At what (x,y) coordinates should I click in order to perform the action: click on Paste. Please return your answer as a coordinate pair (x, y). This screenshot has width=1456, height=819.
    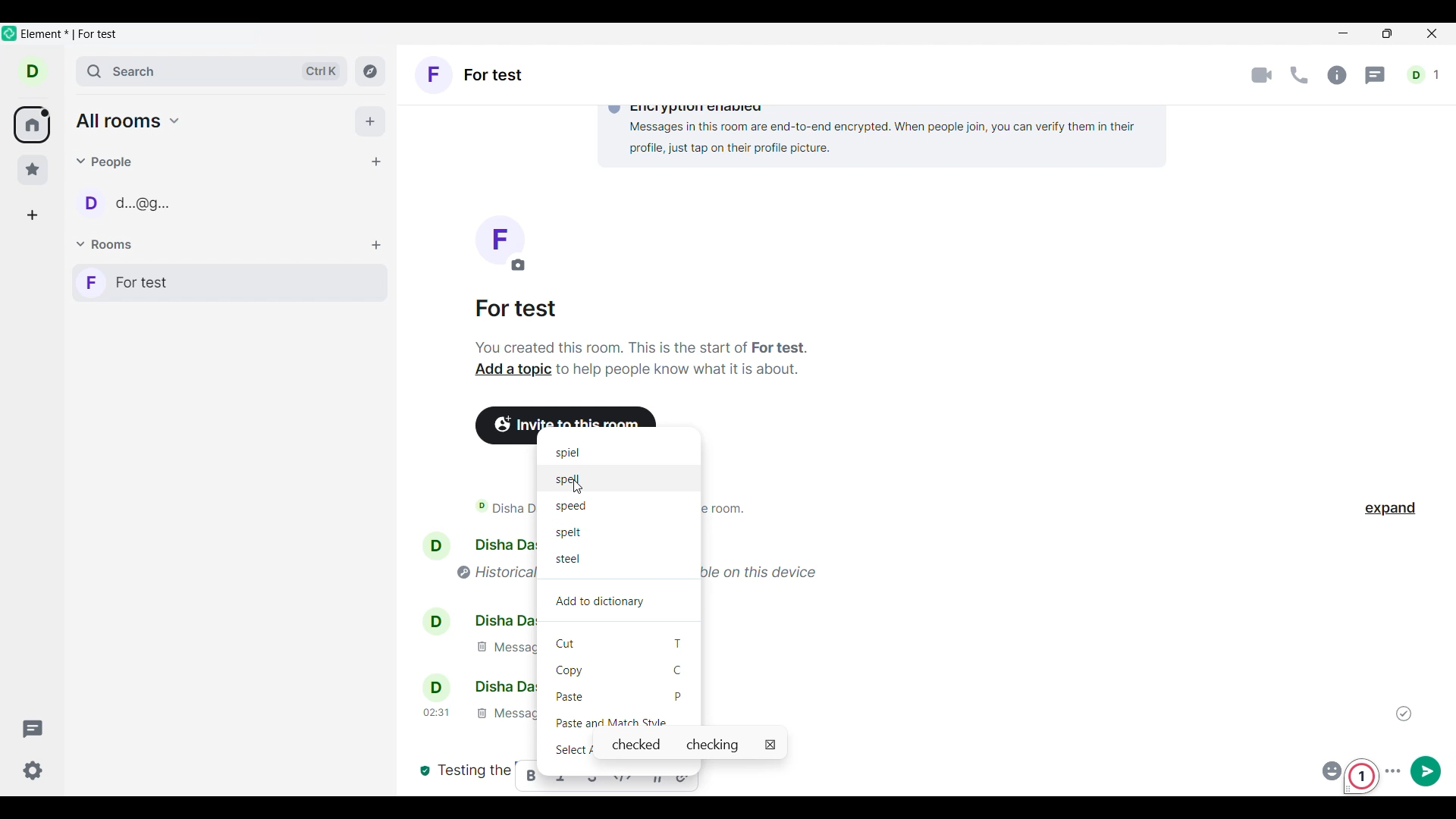
    Looking at the image, I should click on (620, 695).